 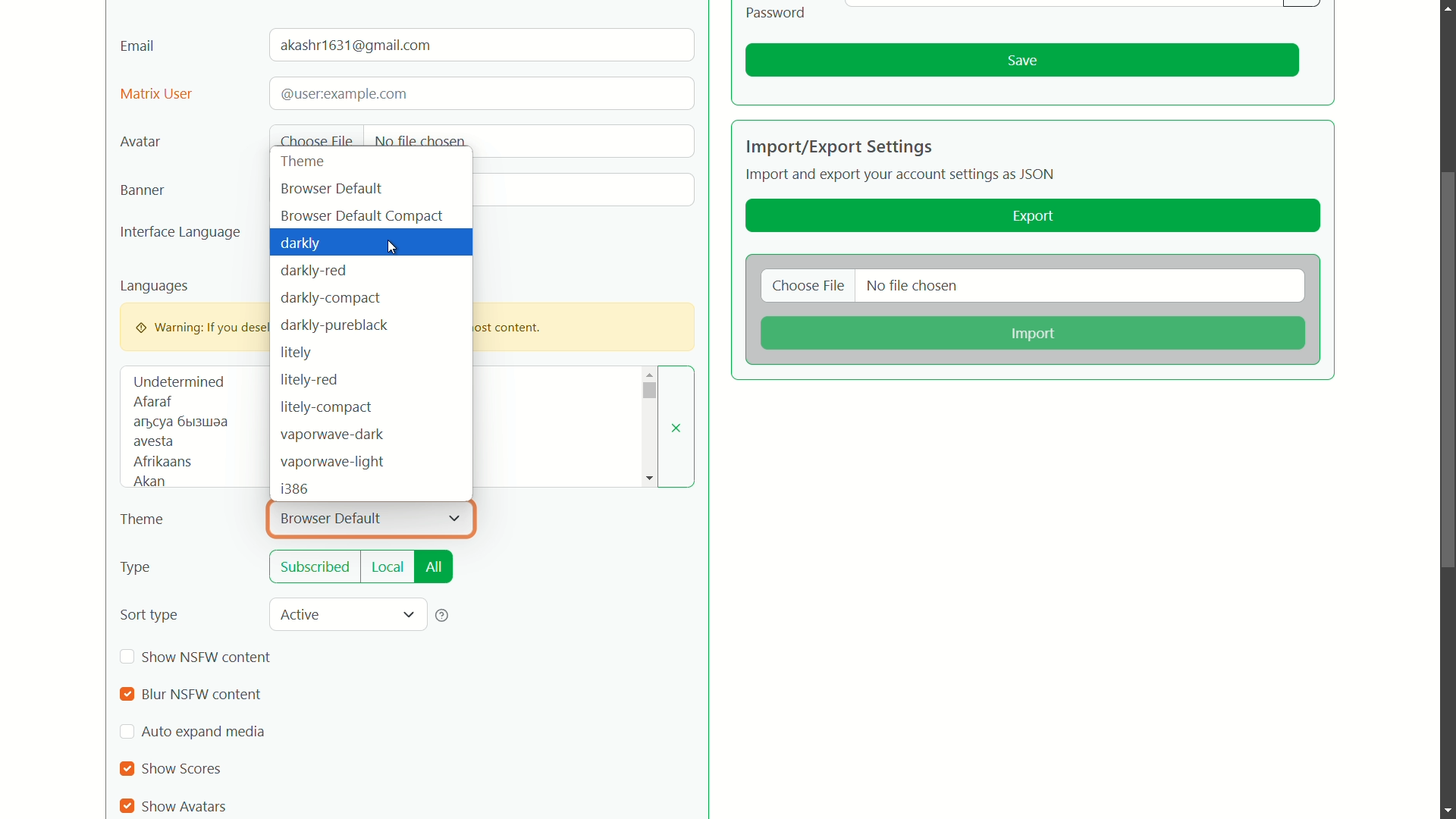 What do you see at coordinates (677, 428) in the screenshot?
I see `close` at bounding box center [677, 428].